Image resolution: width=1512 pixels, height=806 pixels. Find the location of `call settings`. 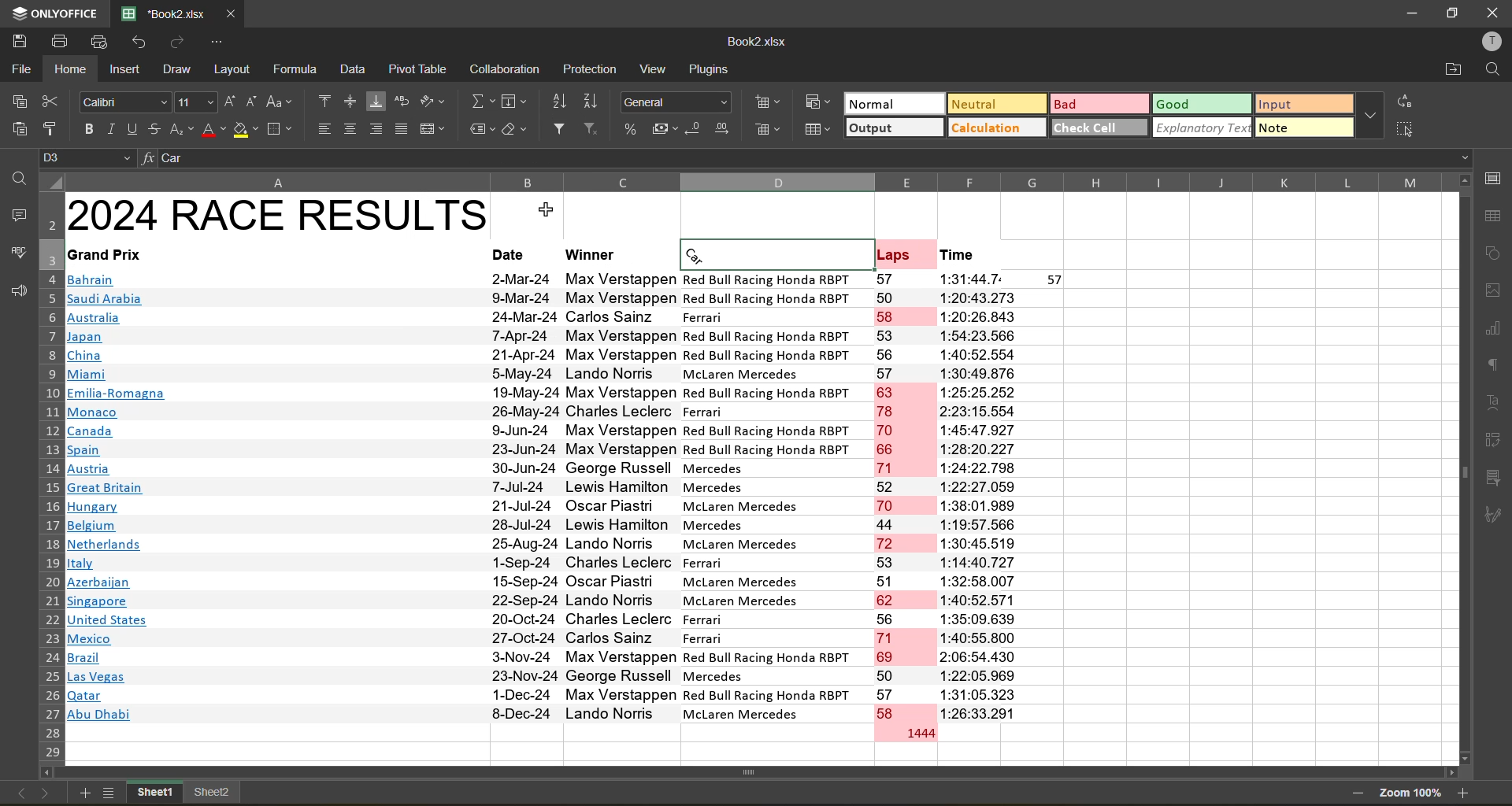

call settings is located at coordinates (1496, 179).